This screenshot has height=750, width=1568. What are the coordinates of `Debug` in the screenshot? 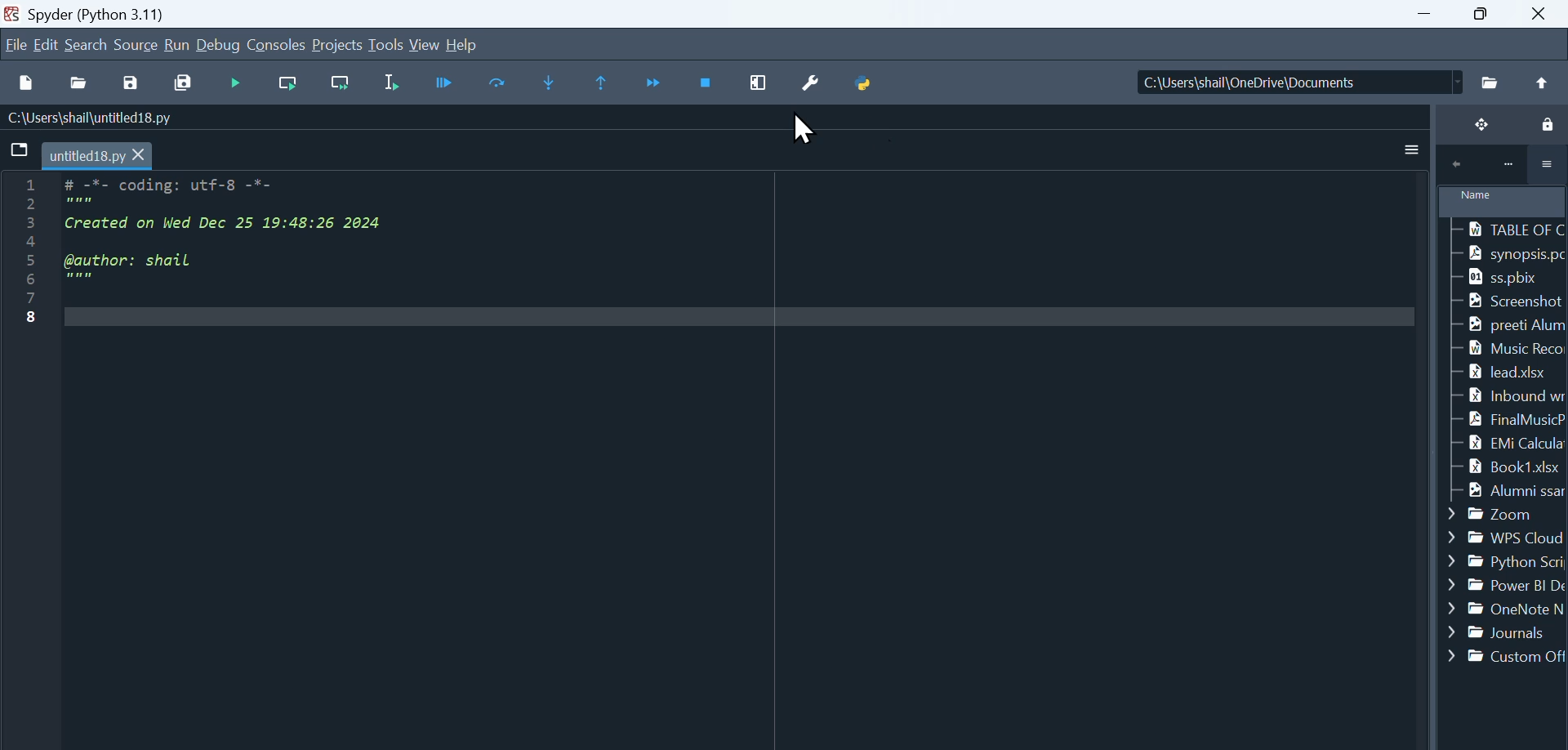 It's located at (220, 46).